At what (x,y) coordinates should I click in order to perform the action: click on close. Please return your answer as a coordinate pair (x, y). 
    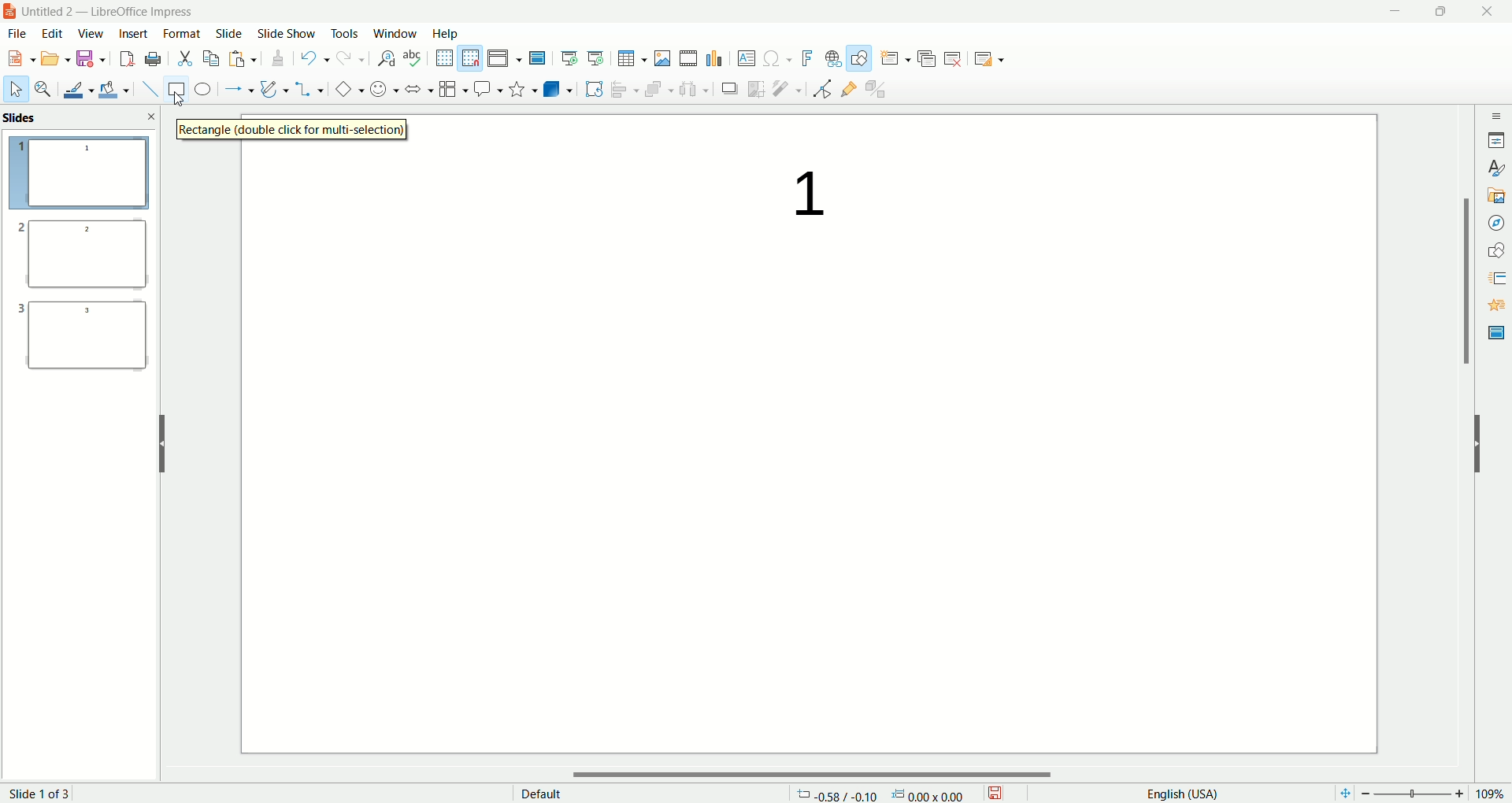
    Looking at the image, I should click on (152, 116).